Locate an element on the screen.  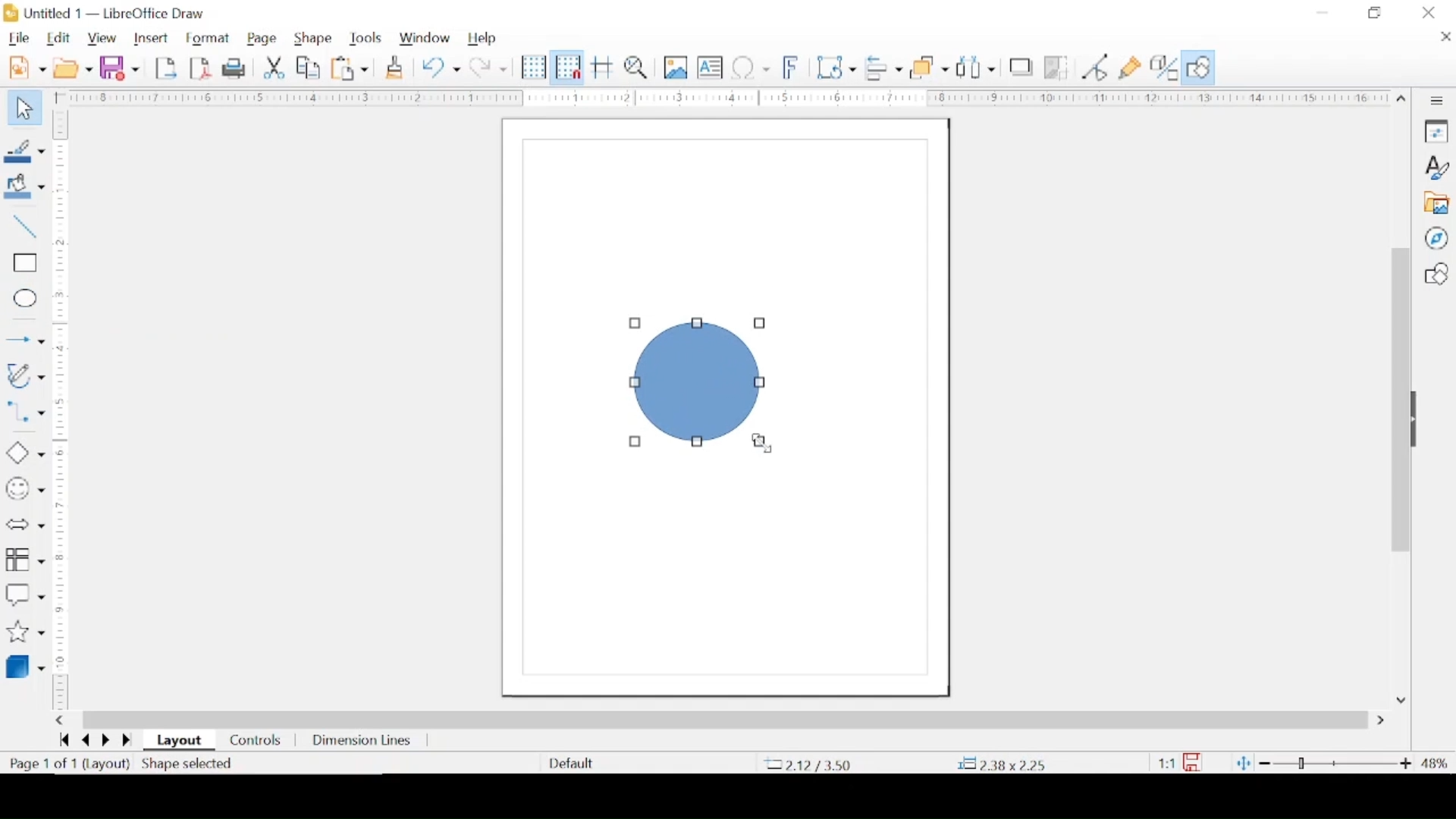
redo is located at coordinates (489, 67).